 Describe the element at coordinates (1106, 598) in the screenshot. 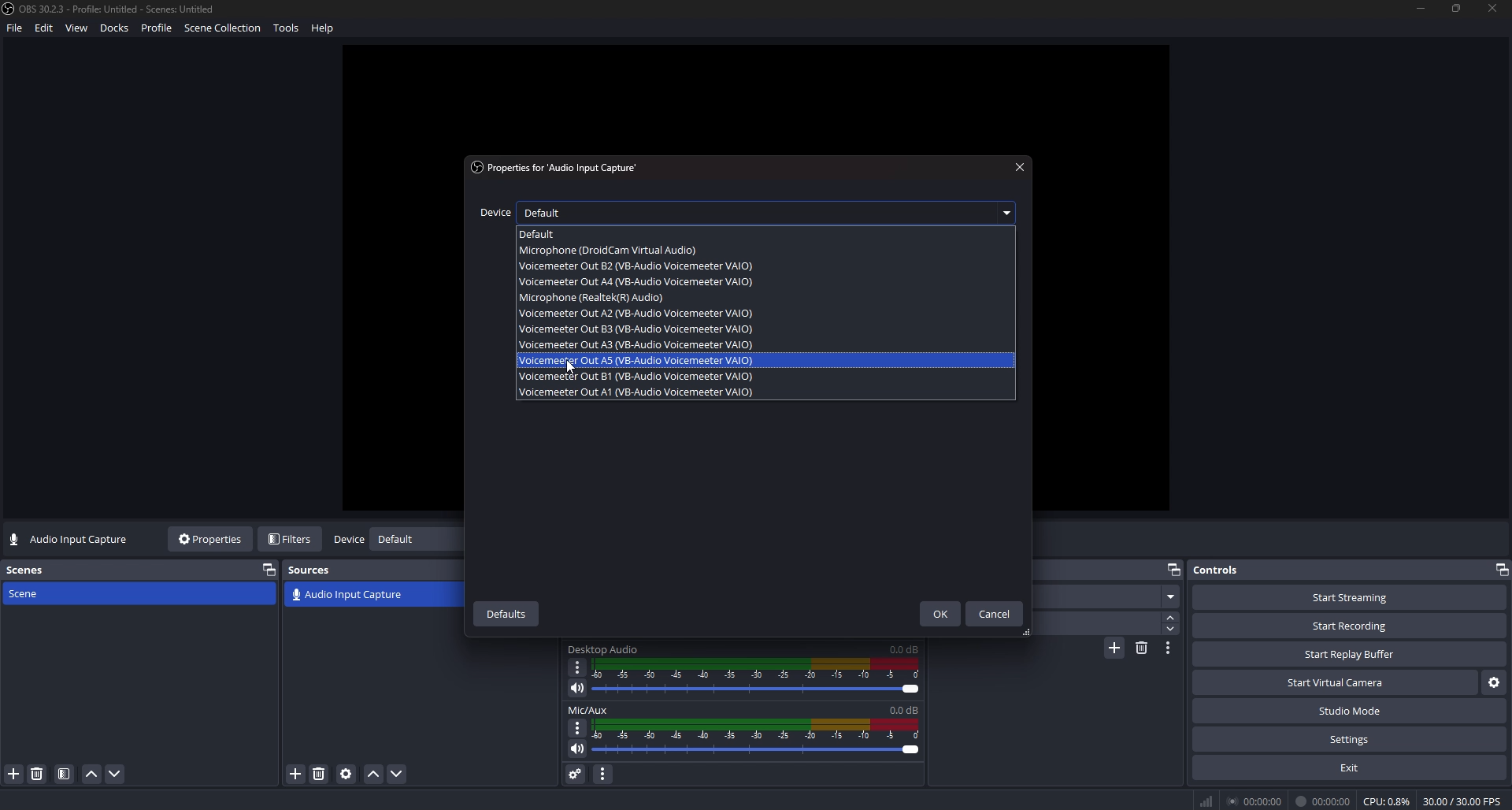

I see `fade` at that location.